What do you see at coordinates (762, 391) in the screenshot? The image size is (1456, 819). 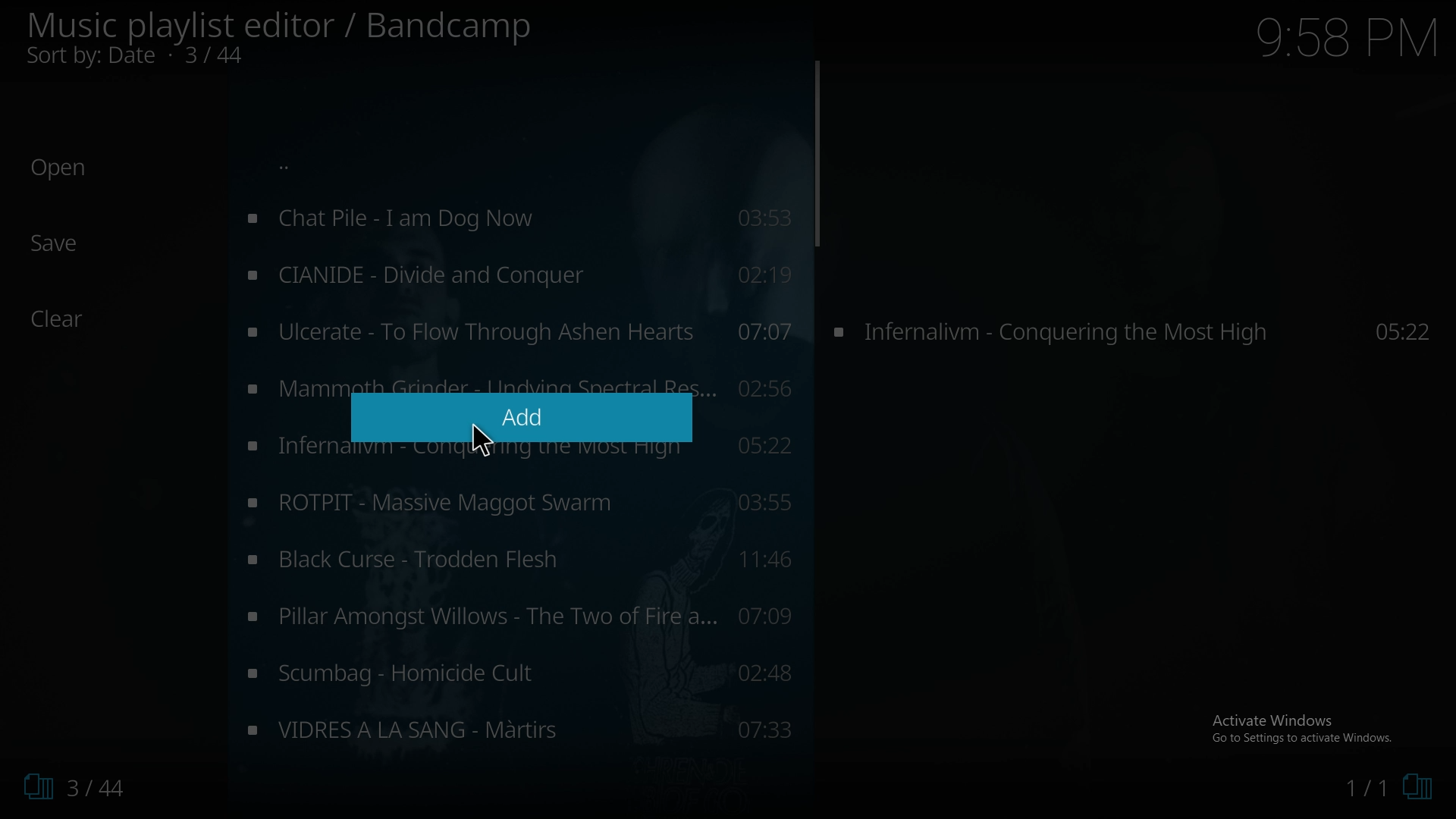 I see `02:56` at bounding box center [762, 391].